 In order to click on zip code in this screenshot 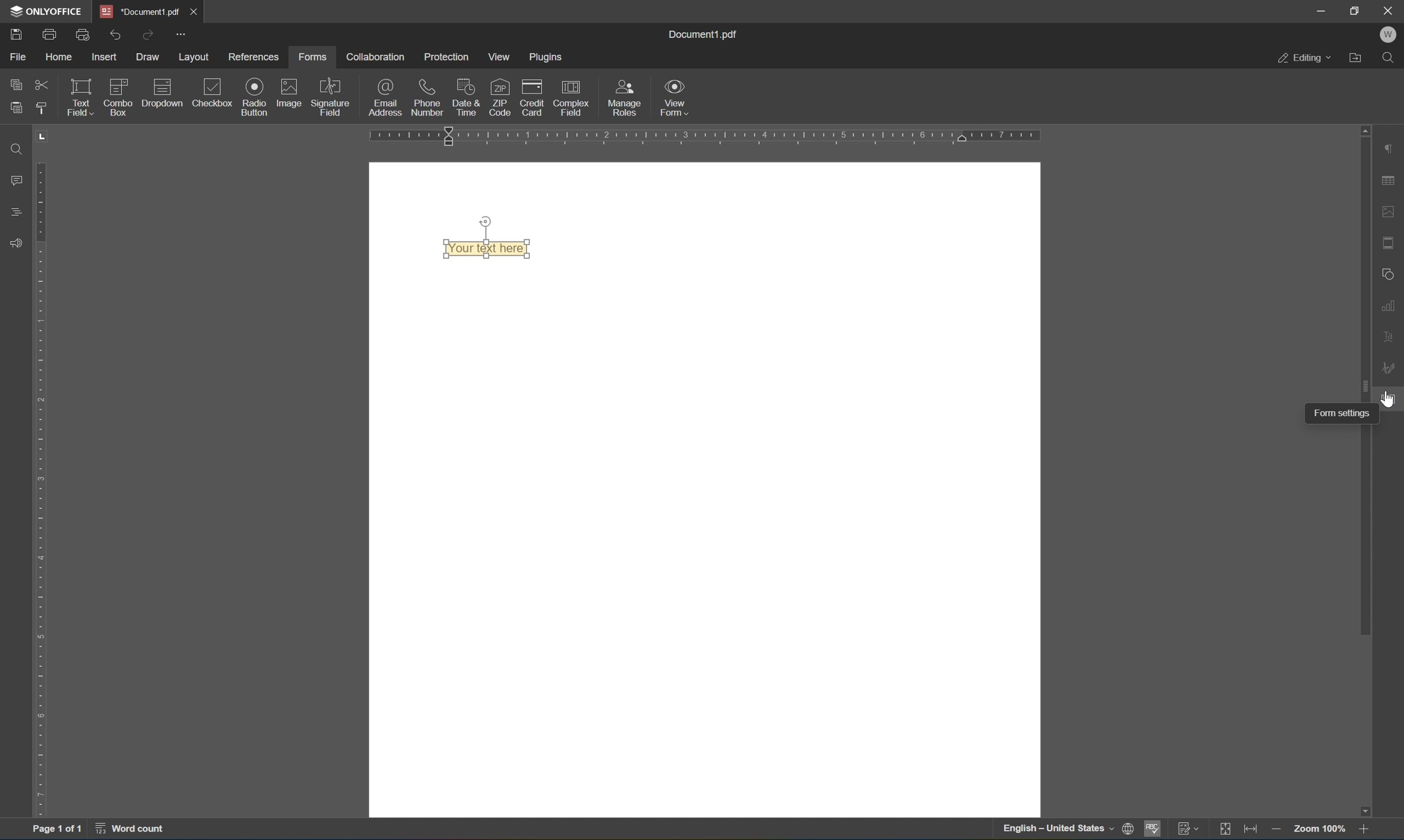, I will do `click(500, 97)`.